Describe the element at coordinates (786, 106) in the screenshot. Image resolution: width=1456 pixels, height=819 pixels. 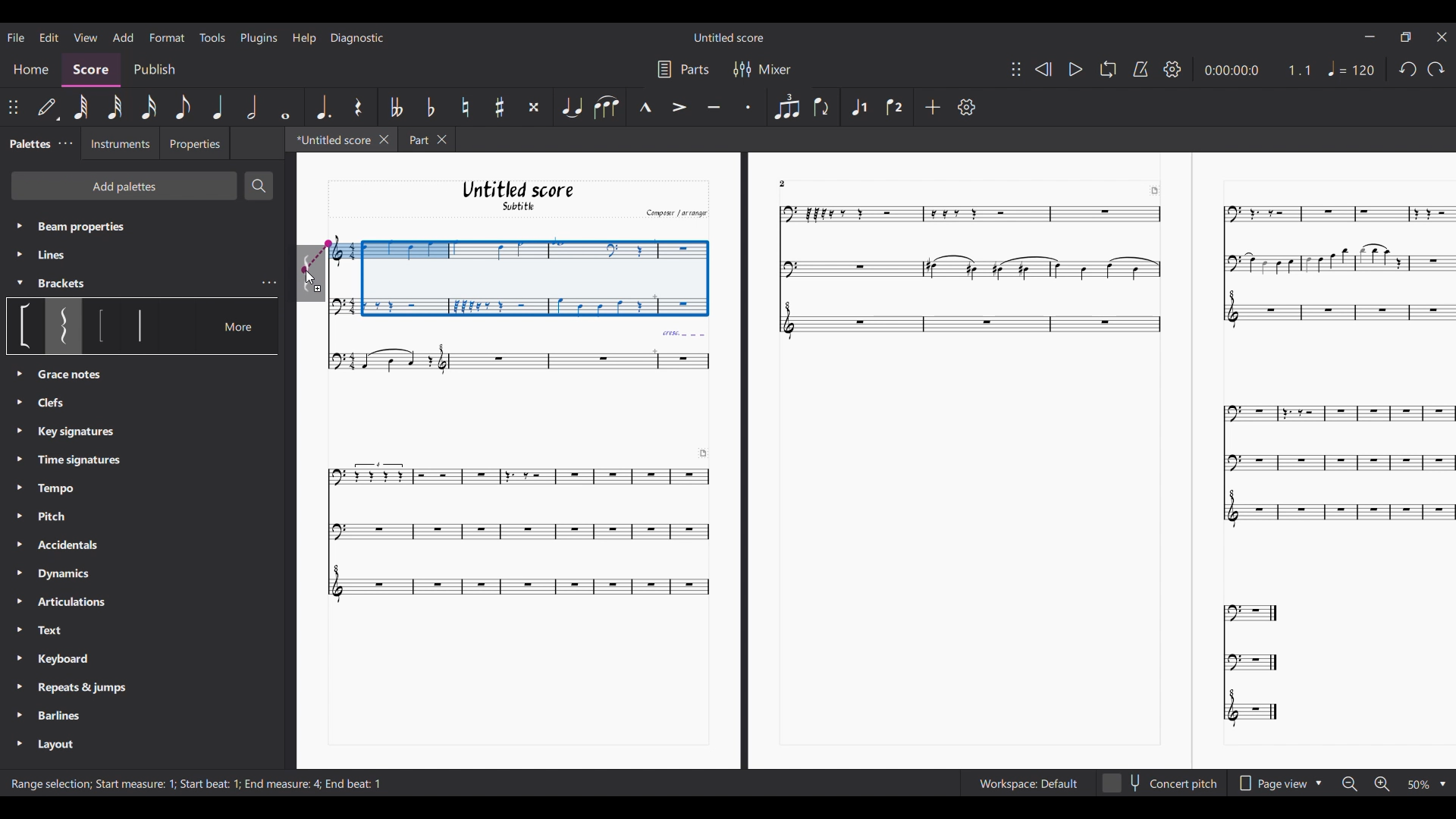
I see `Tuplet` at that location.